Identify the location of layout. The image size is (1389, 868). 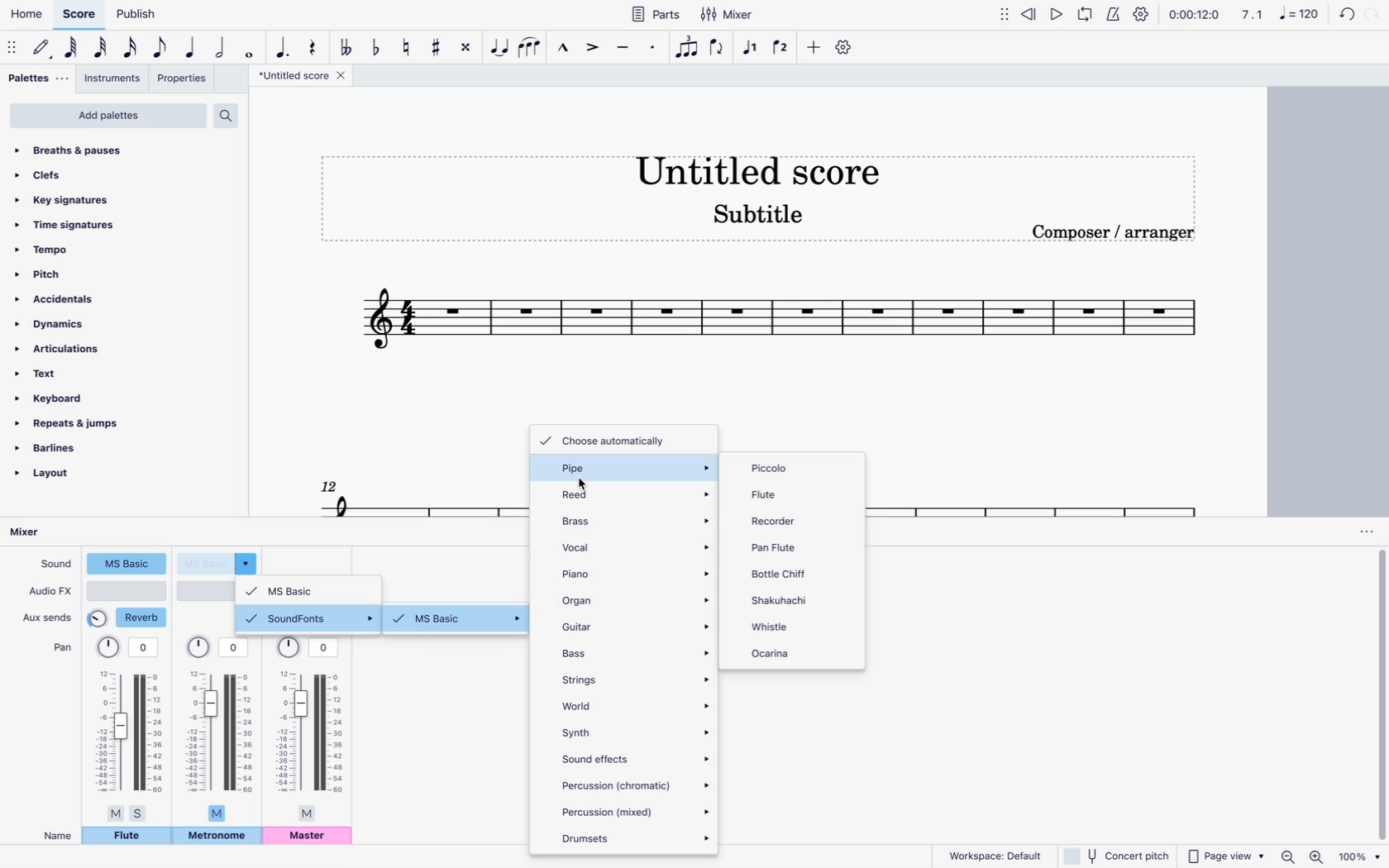
(71, 477).